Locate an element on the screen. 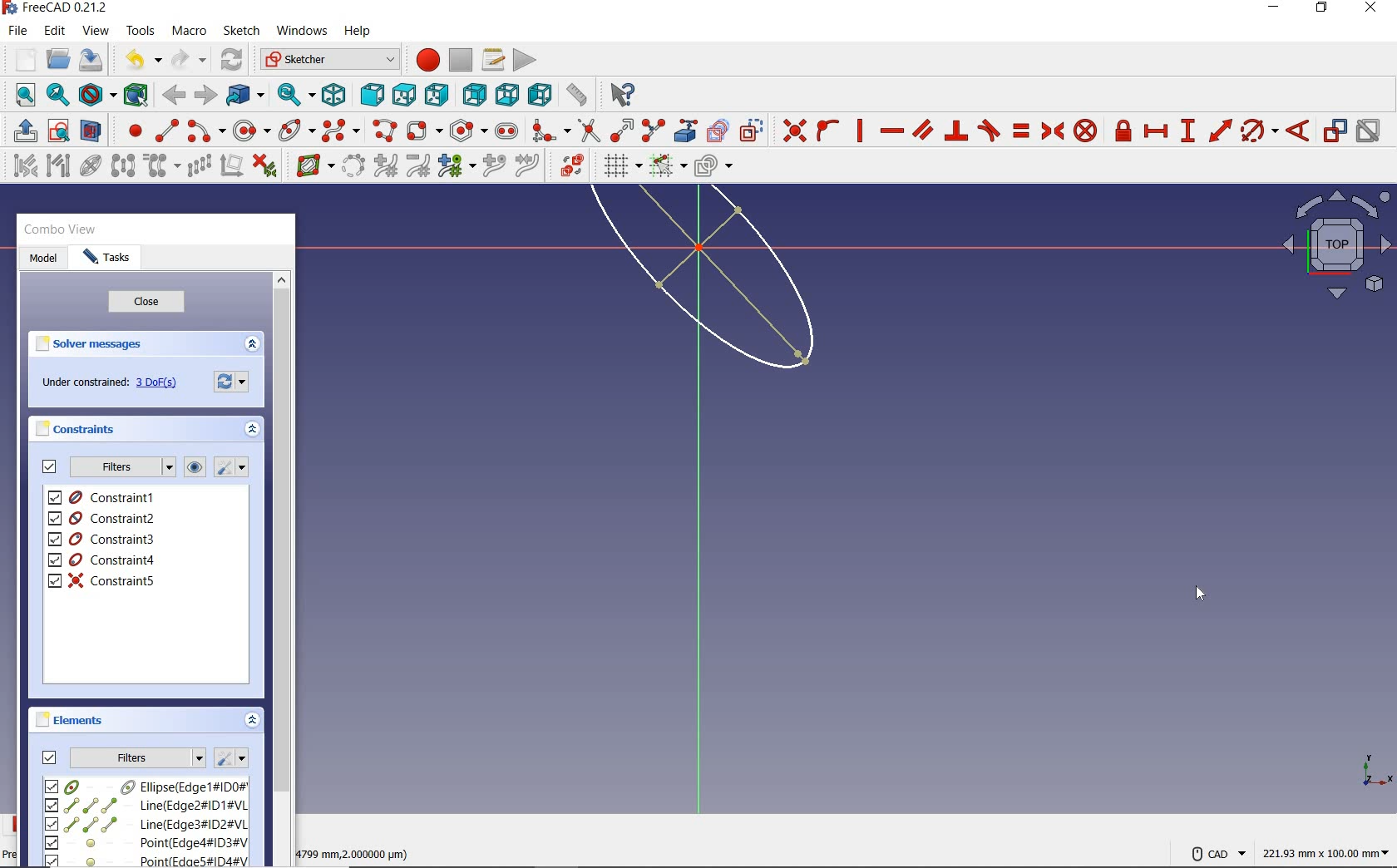  tasks is located at coordinates (107, 259).